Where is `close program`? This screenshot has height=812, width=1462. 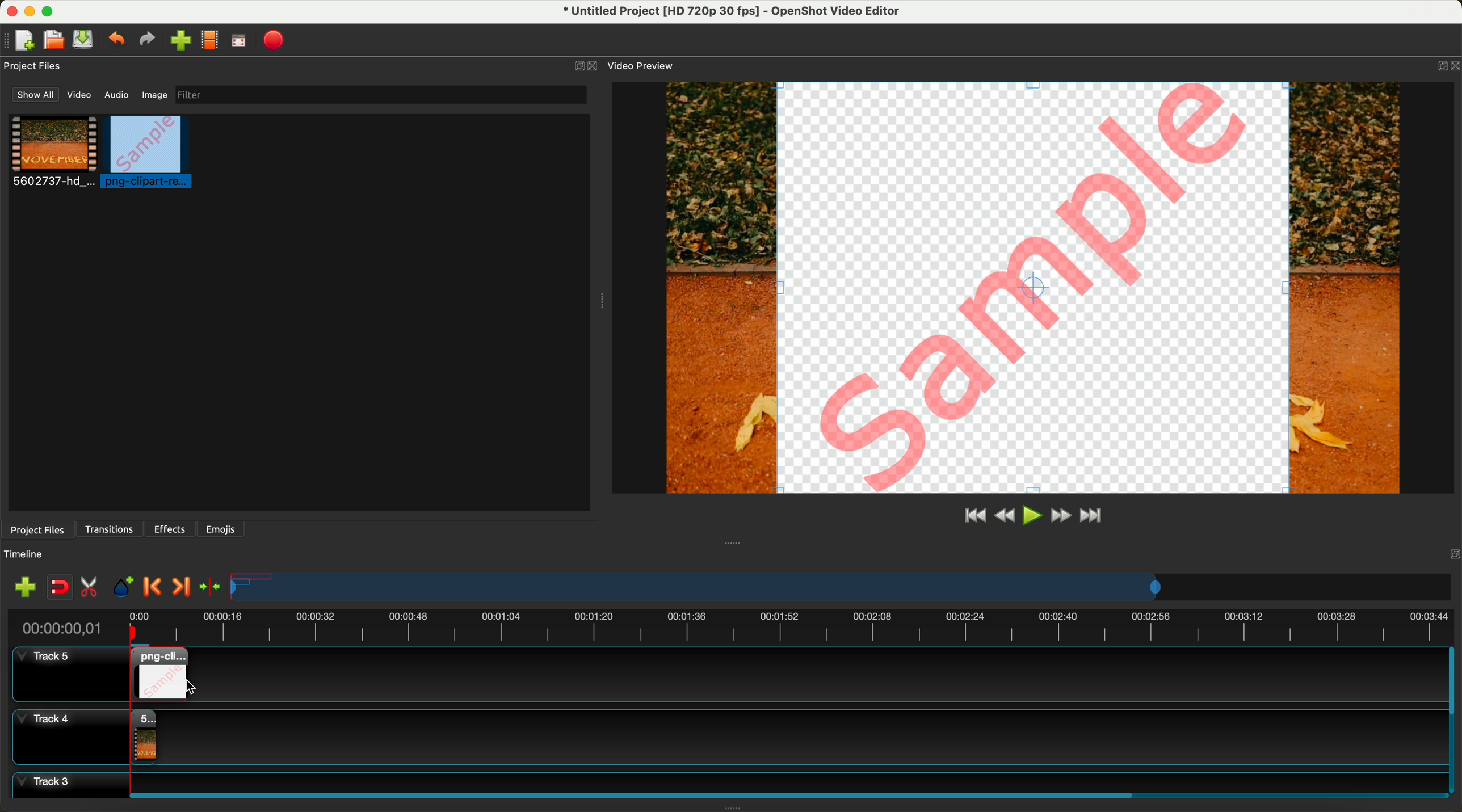 close program is located at coordinates (9, 10).